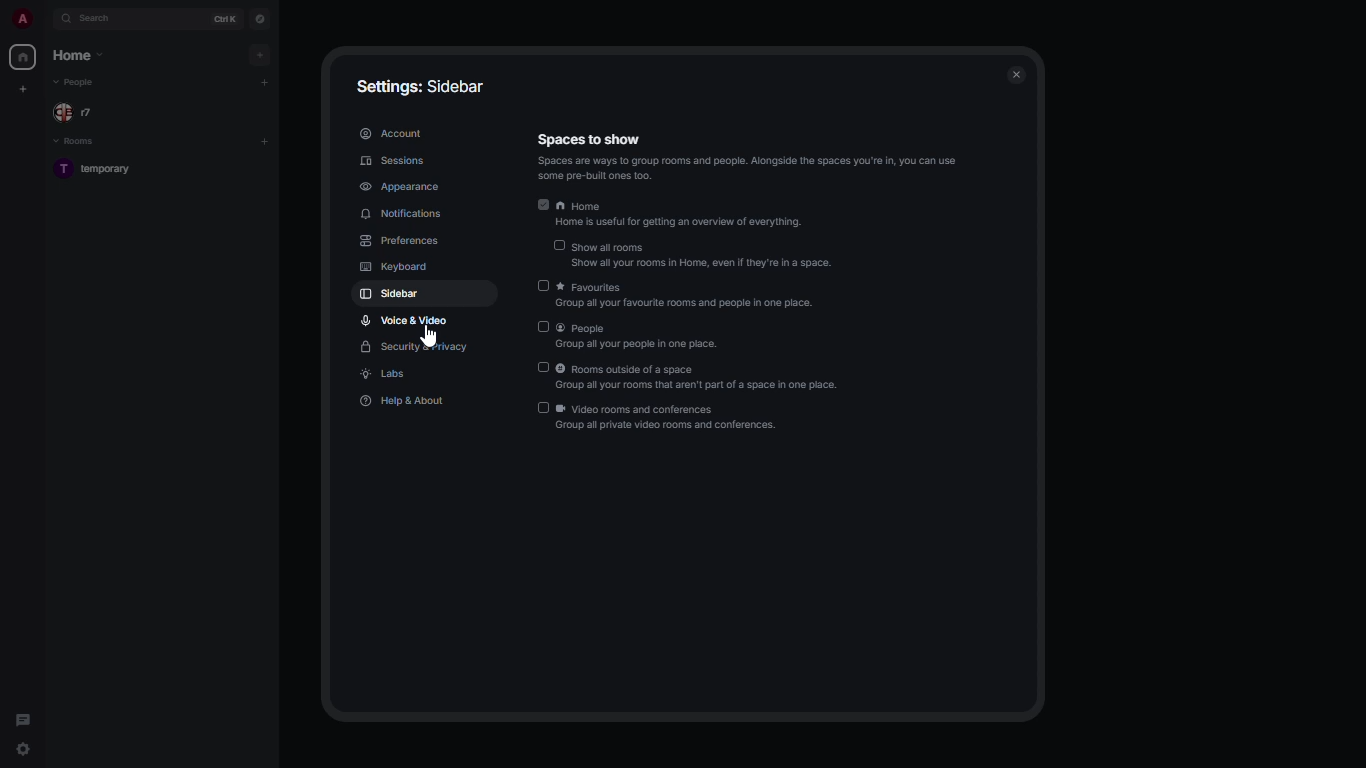 Image resolution: width=1366 pixels, height=768 pixels. What do you see at coordinates (264, 139) in the screenshot?
I see `add` at bounding box center [264, 139].